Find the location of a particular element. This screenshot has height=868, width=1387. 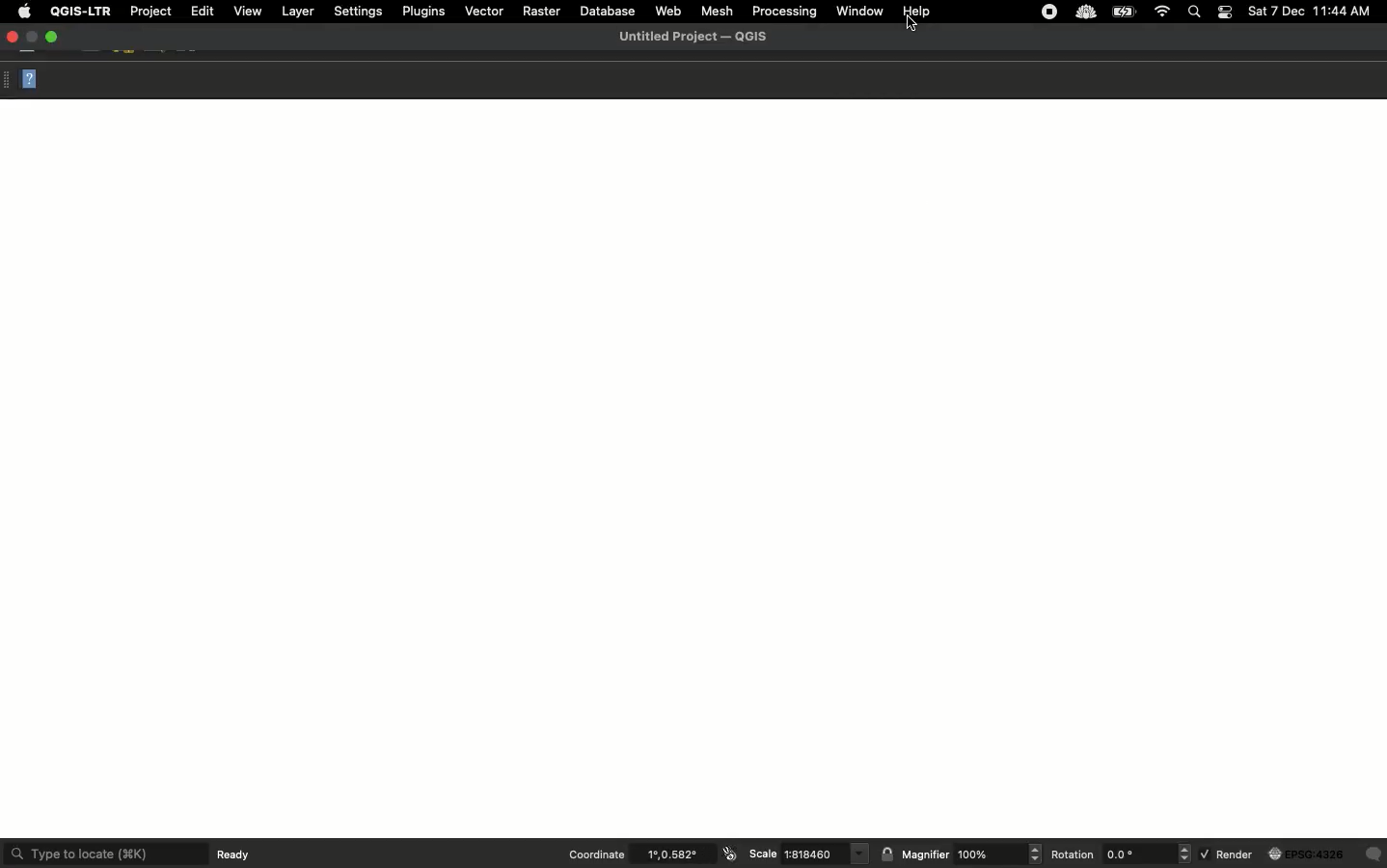

Help is located at coordinates (31, 80).